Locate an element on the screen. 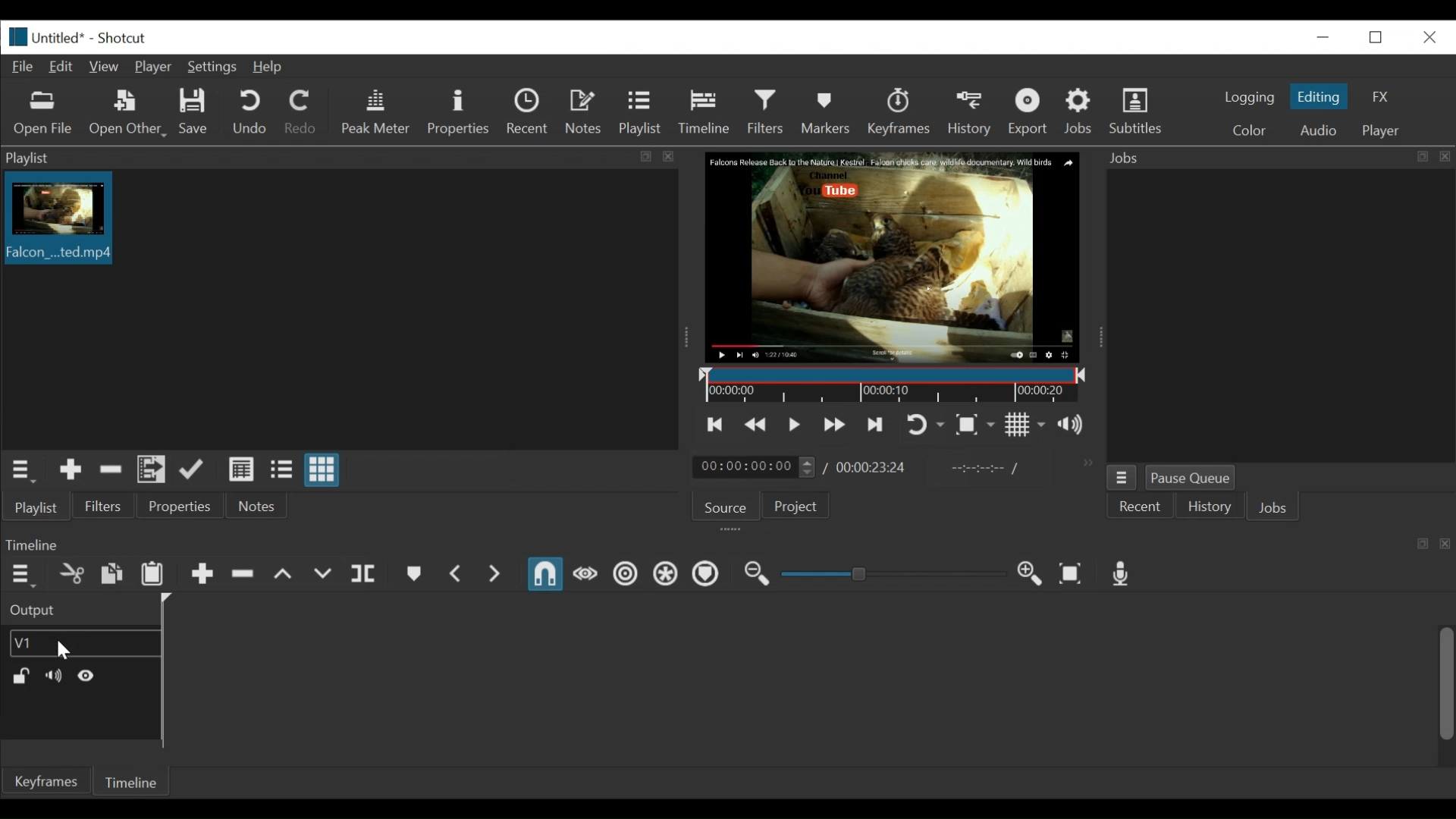 The height and width of the screenshot is (819, 1456). History is located at coordinates (1208, 507).